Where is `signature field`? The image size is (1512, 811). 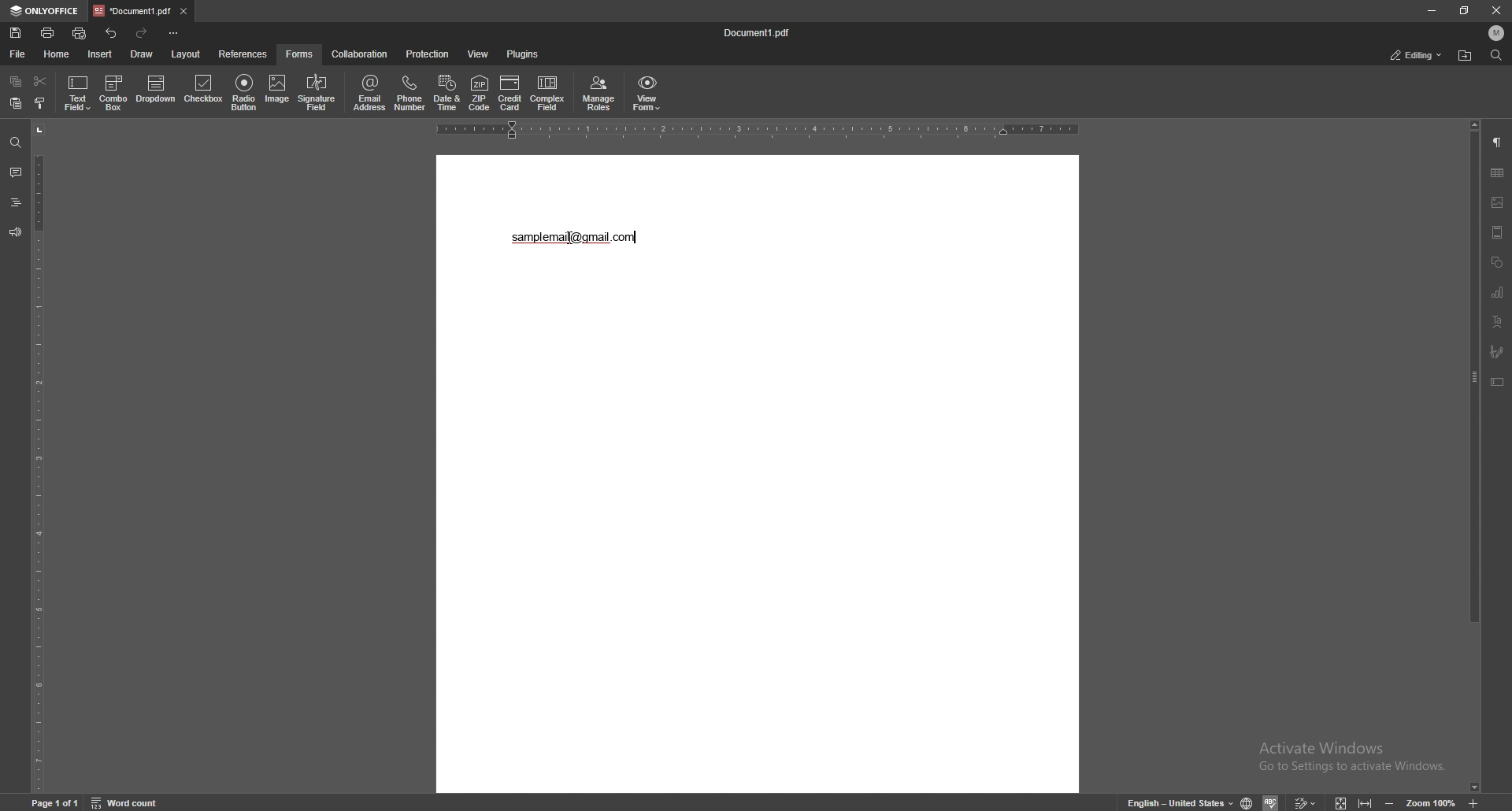
signature field is located at coordinates (1497, 352).